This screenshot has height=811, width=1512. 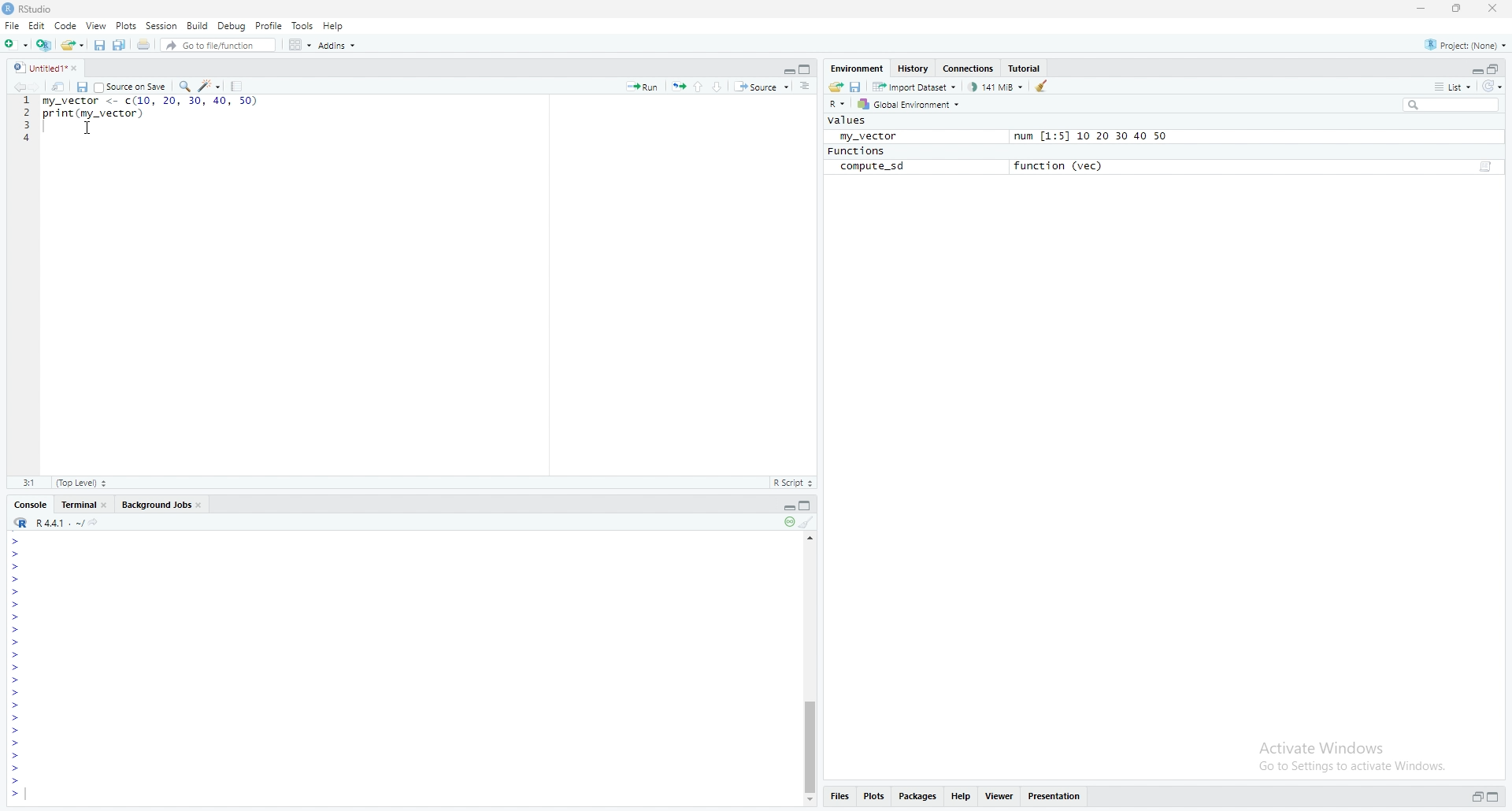 What do you see at coordinates (1465, 43) in the screenshot?
I see `Project(None)` at bounding box center [1465, 43].